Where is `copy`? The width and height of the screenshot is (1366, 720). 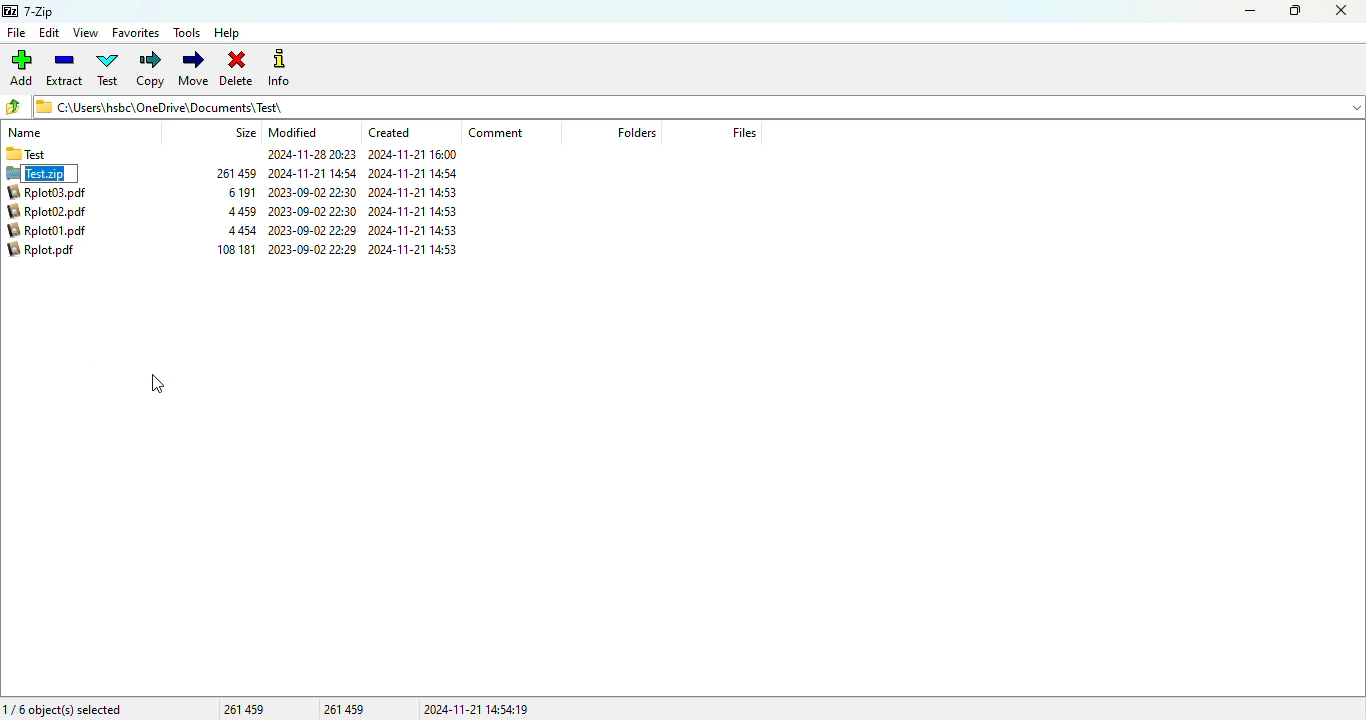
copy is located at coordinates (150, 69).